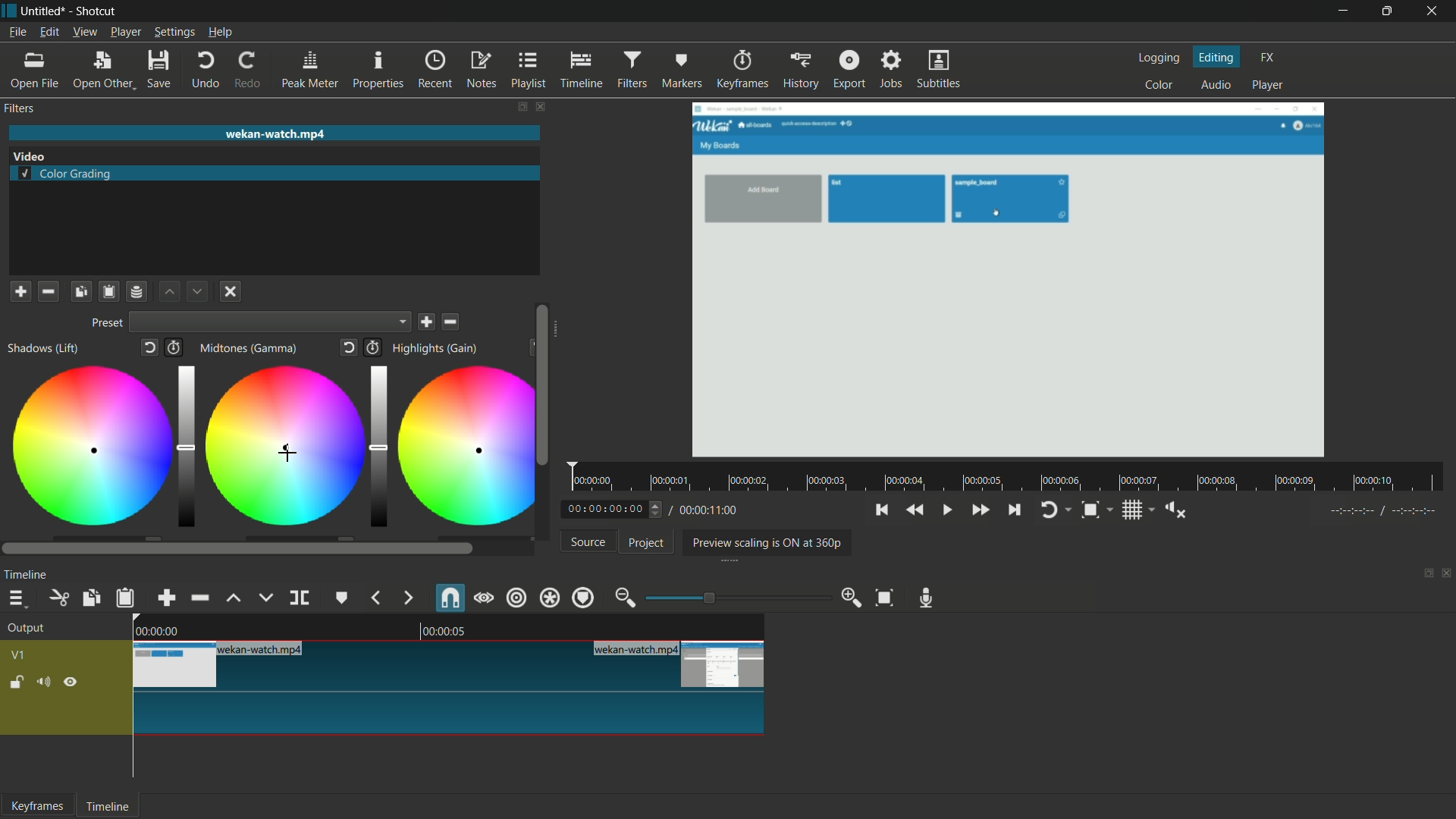 This screenshot has width=1456, height=819. I want to click on add keyframes to this parameter, so click(373, 347).